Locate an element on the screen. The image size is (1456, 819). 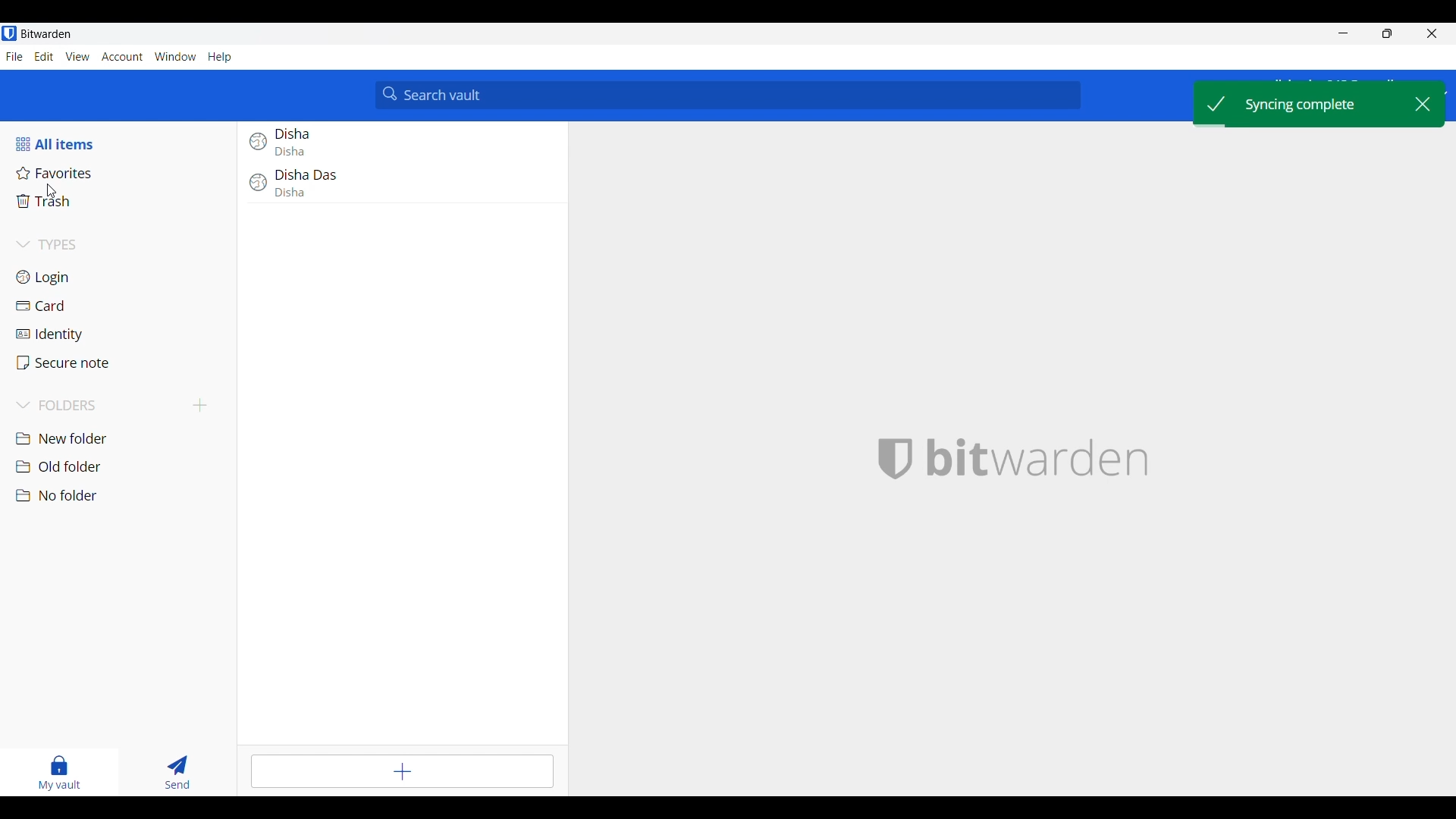
Old folder is located at coordinates (122, 466).